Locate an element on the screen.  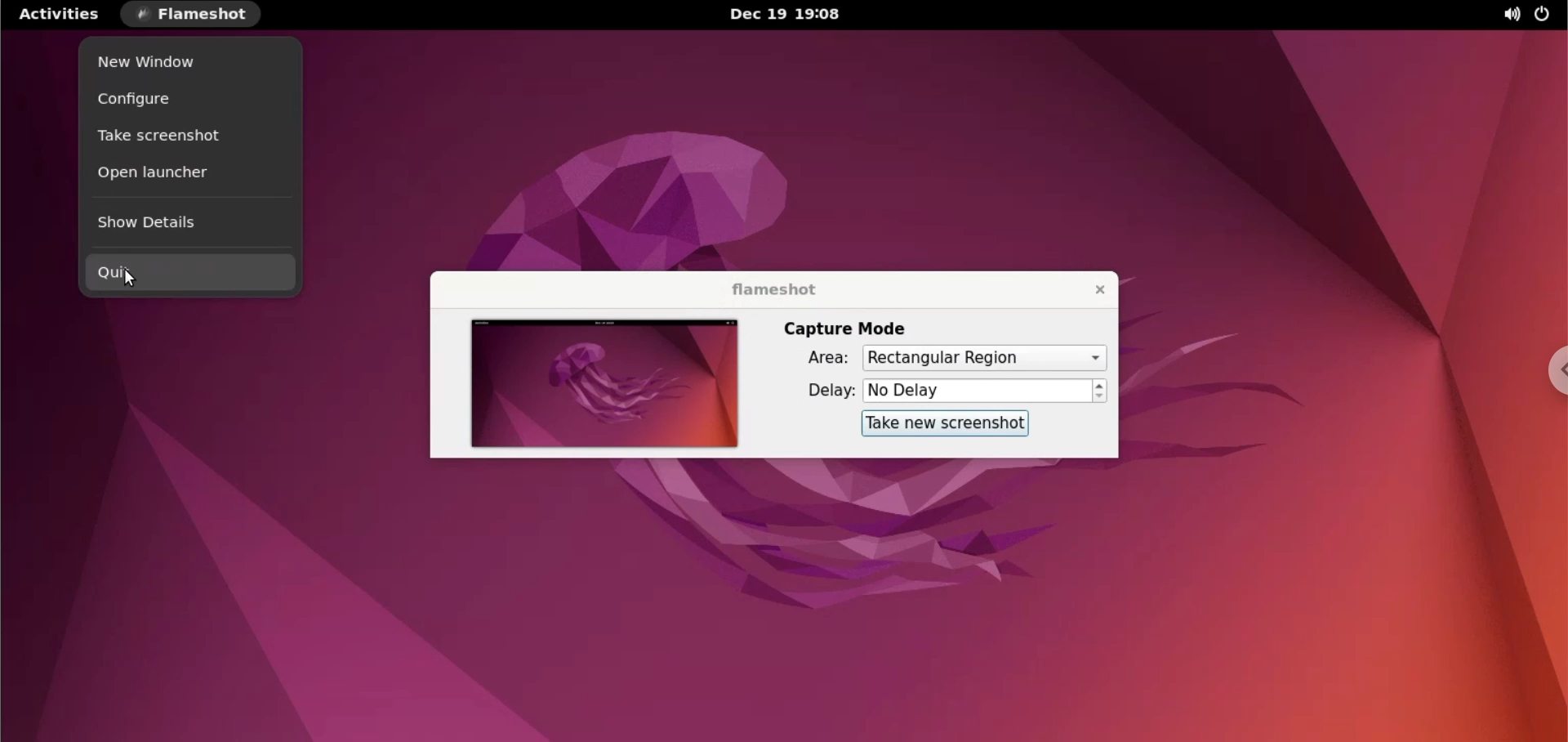
cursor is located at coordinates (145, 286).